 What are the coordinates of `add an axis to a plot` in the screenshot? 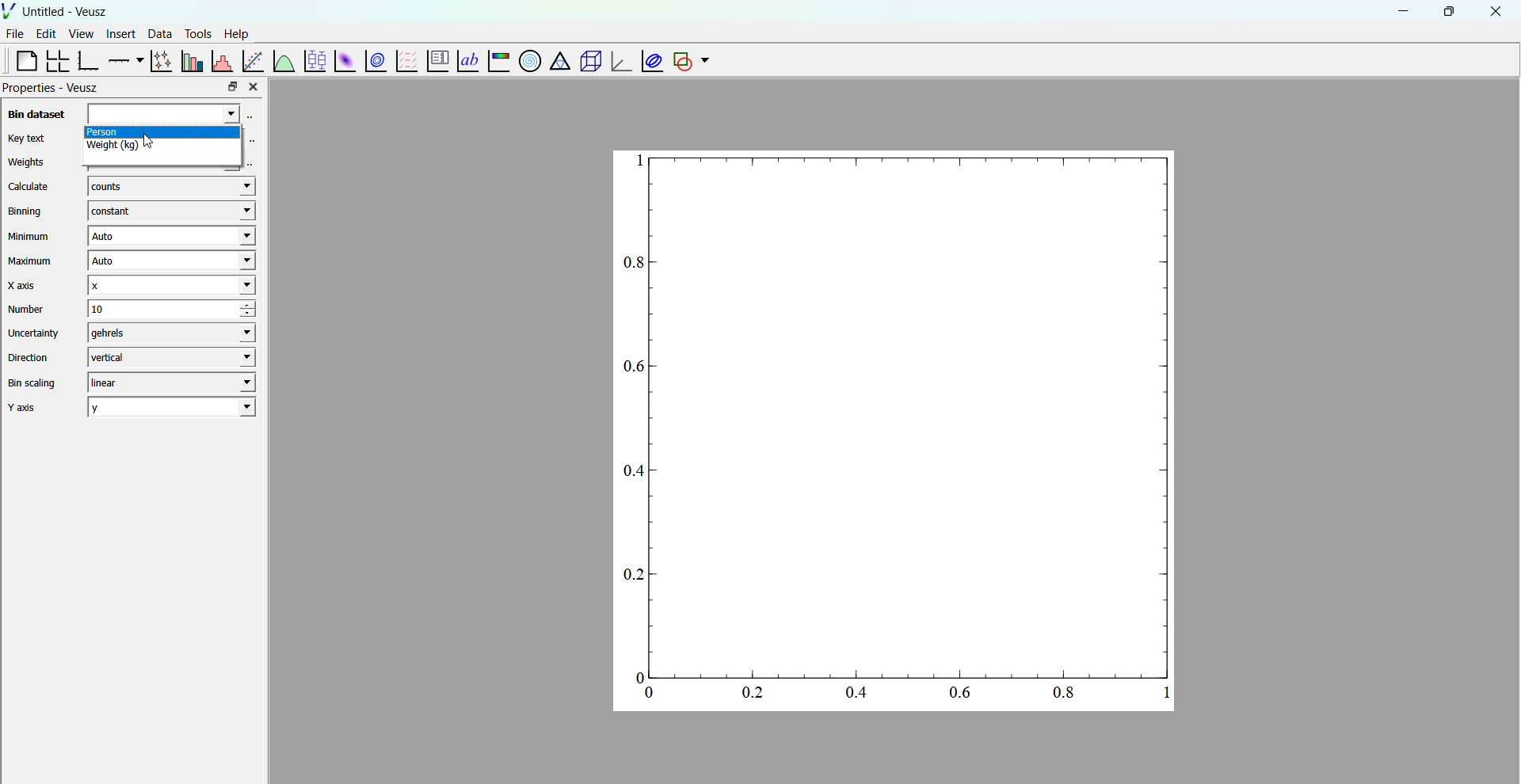 It's located at (124, 59).